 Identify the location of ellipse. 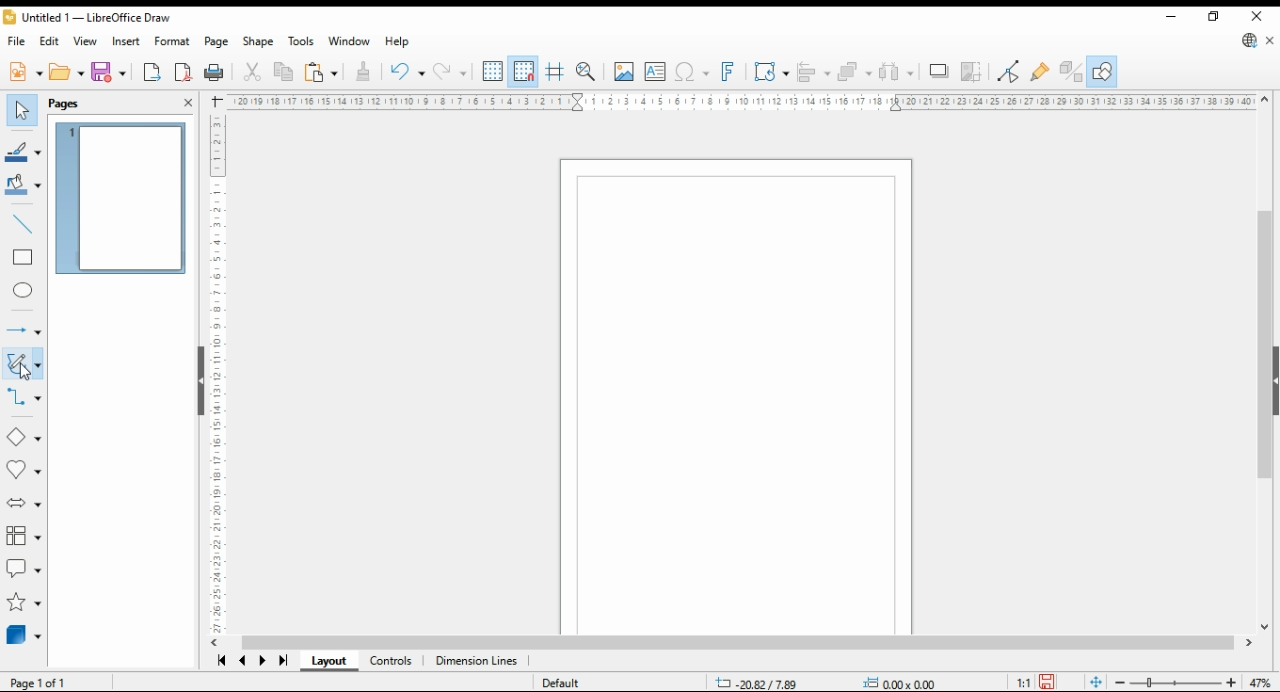
(22, 292).